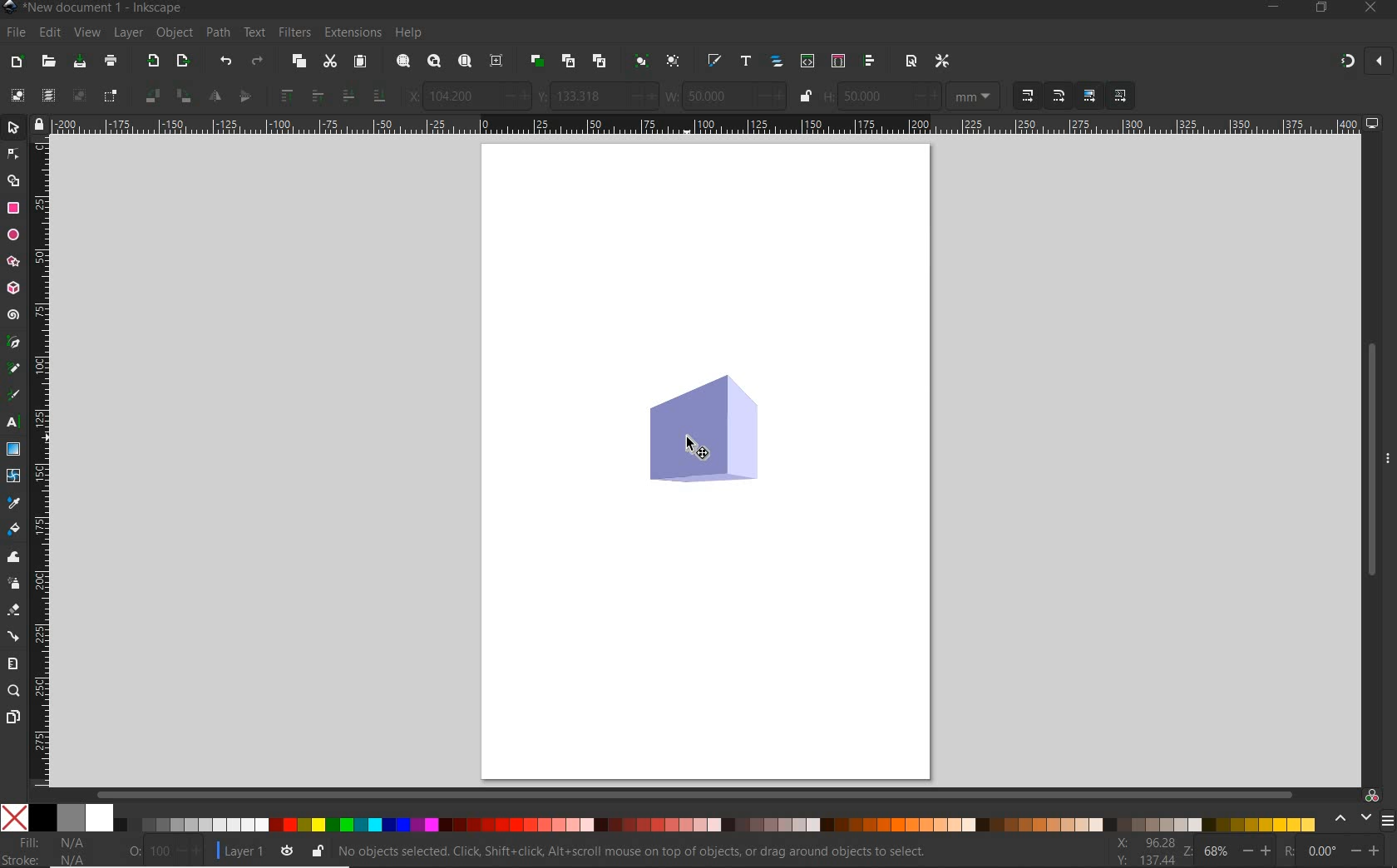 This screenshot has height=868, width=1397. What do you see at coordinates (745, 62) in the screenshot?
I see `open text` at bounding box center [745, 62].